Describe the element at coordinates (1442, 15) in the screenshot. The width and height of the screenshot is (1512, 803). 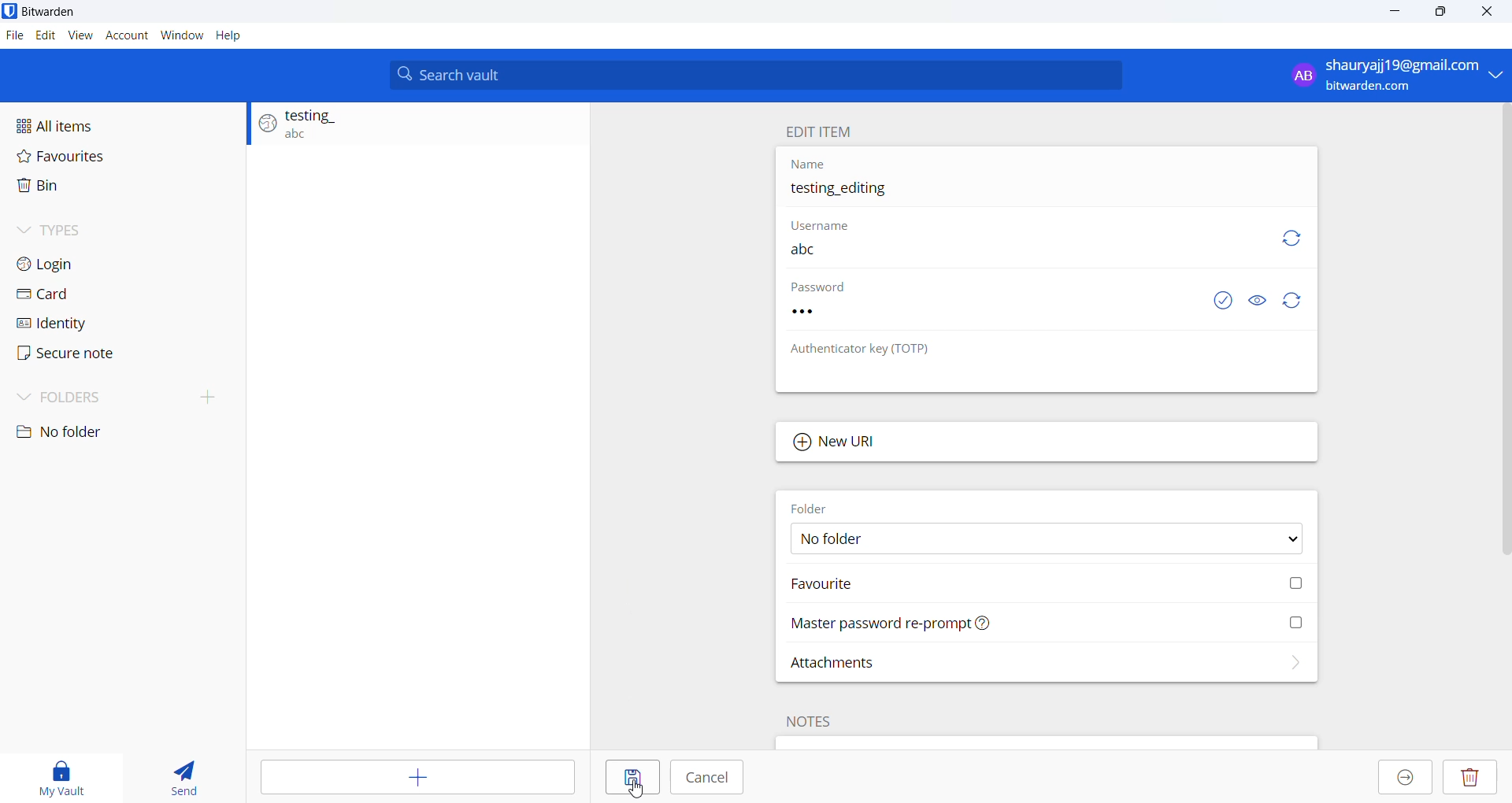
I see `maximise` at that location.